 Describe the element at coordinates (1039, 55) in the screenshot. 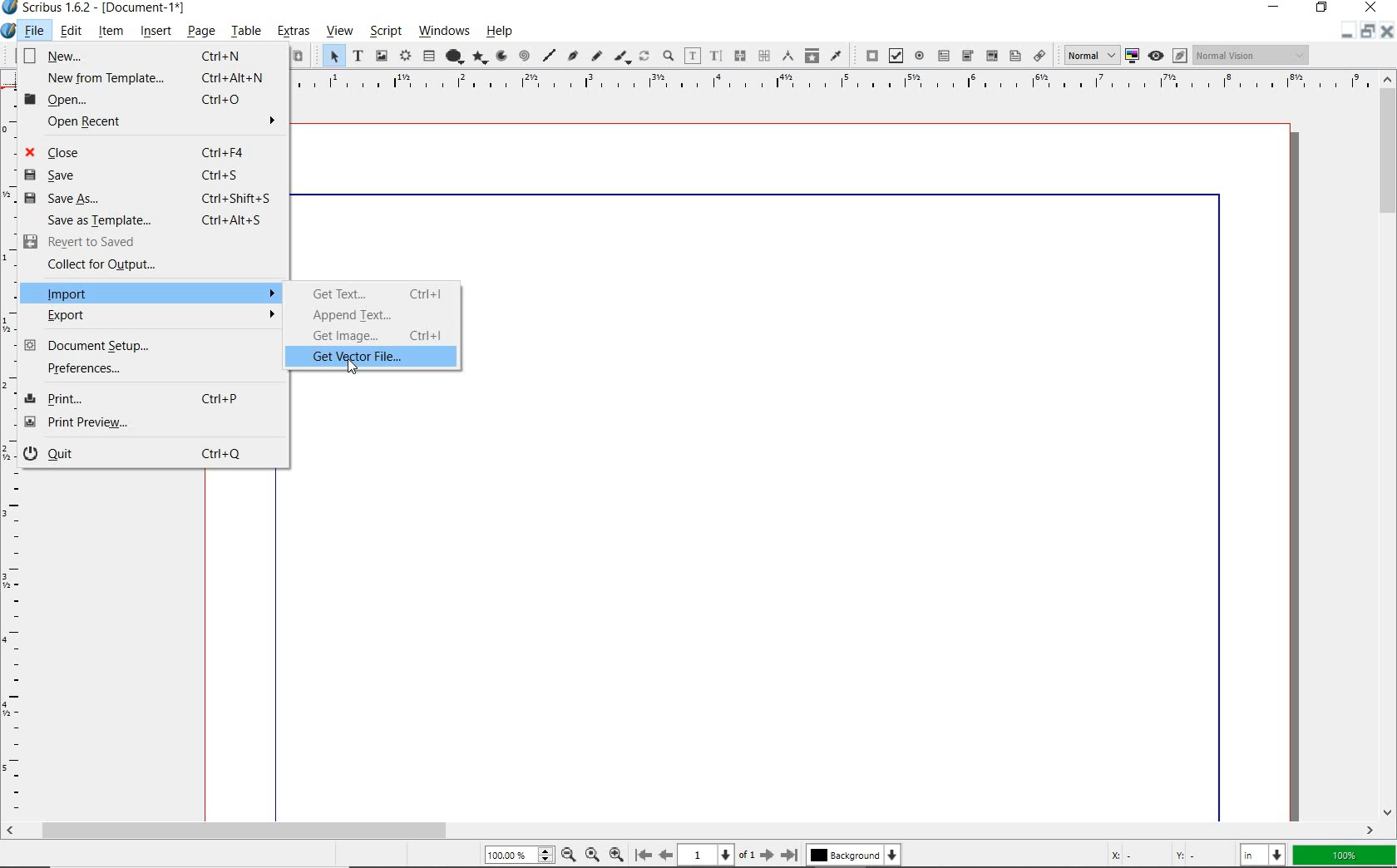

I see `link annotation` at that location.